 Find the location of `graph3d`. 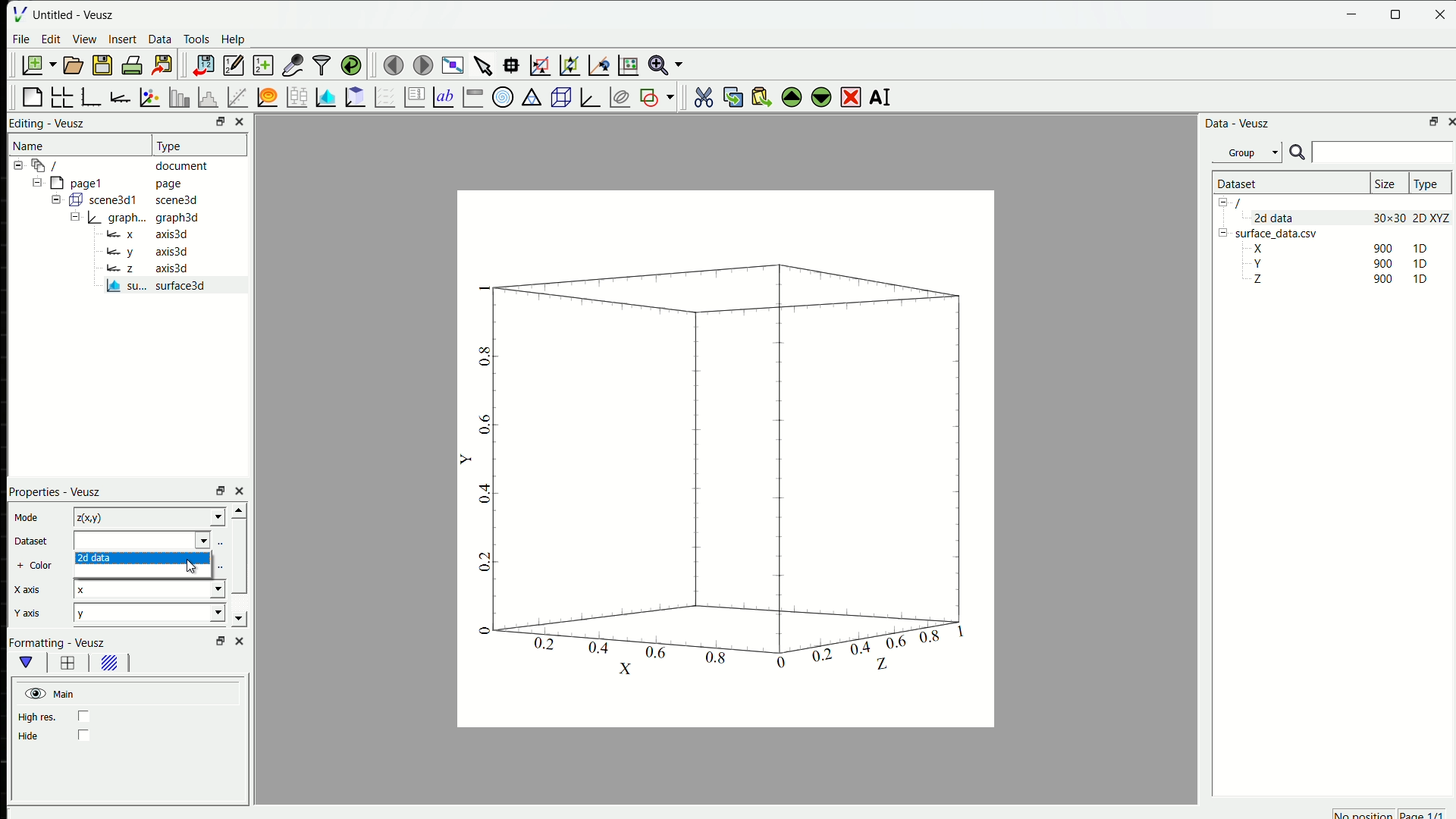

graph3d is located at coordinates (180, 219).